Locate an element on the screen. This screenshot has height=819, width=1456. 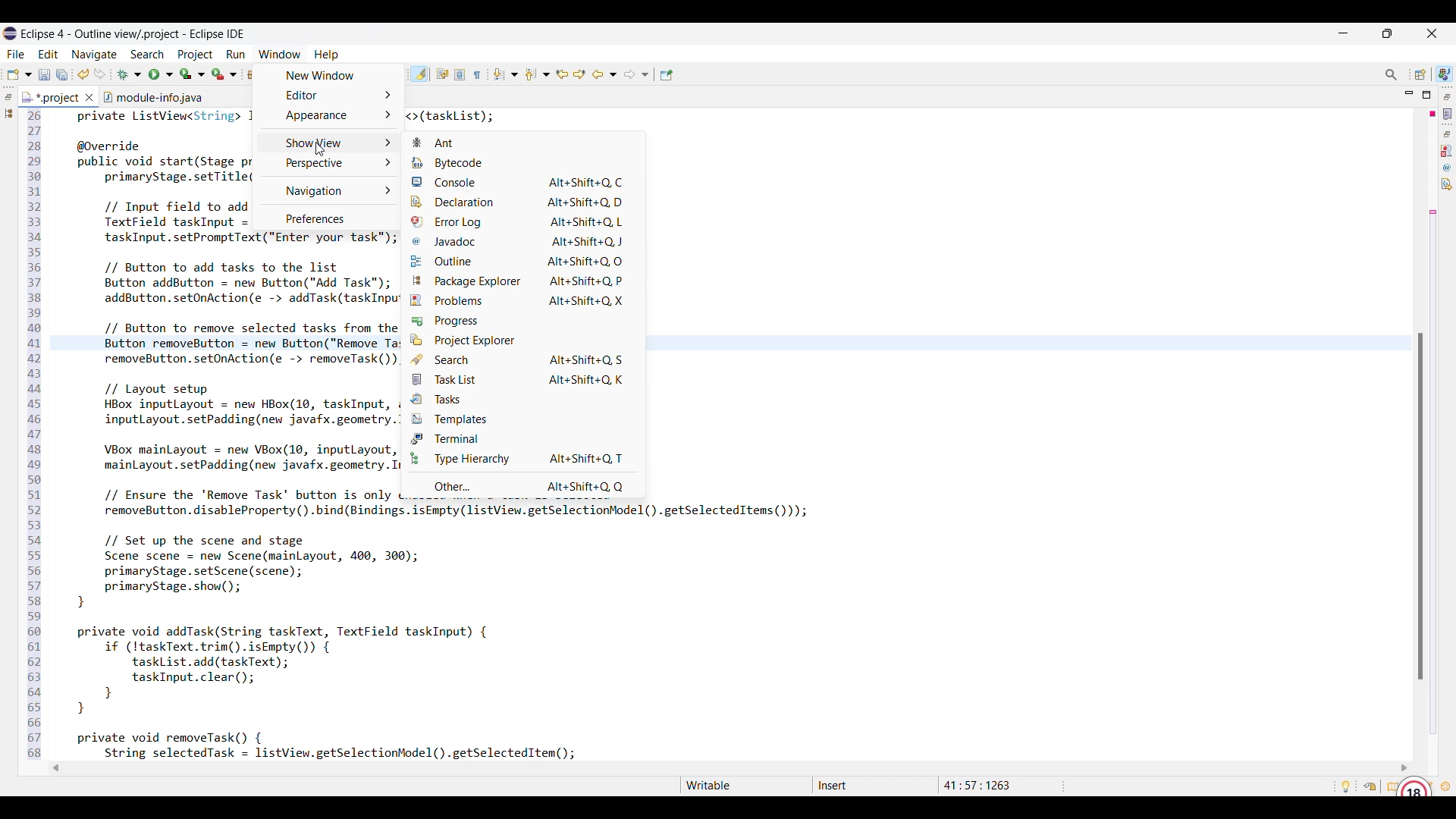
Project explorer is located at coordinates (522, 340).